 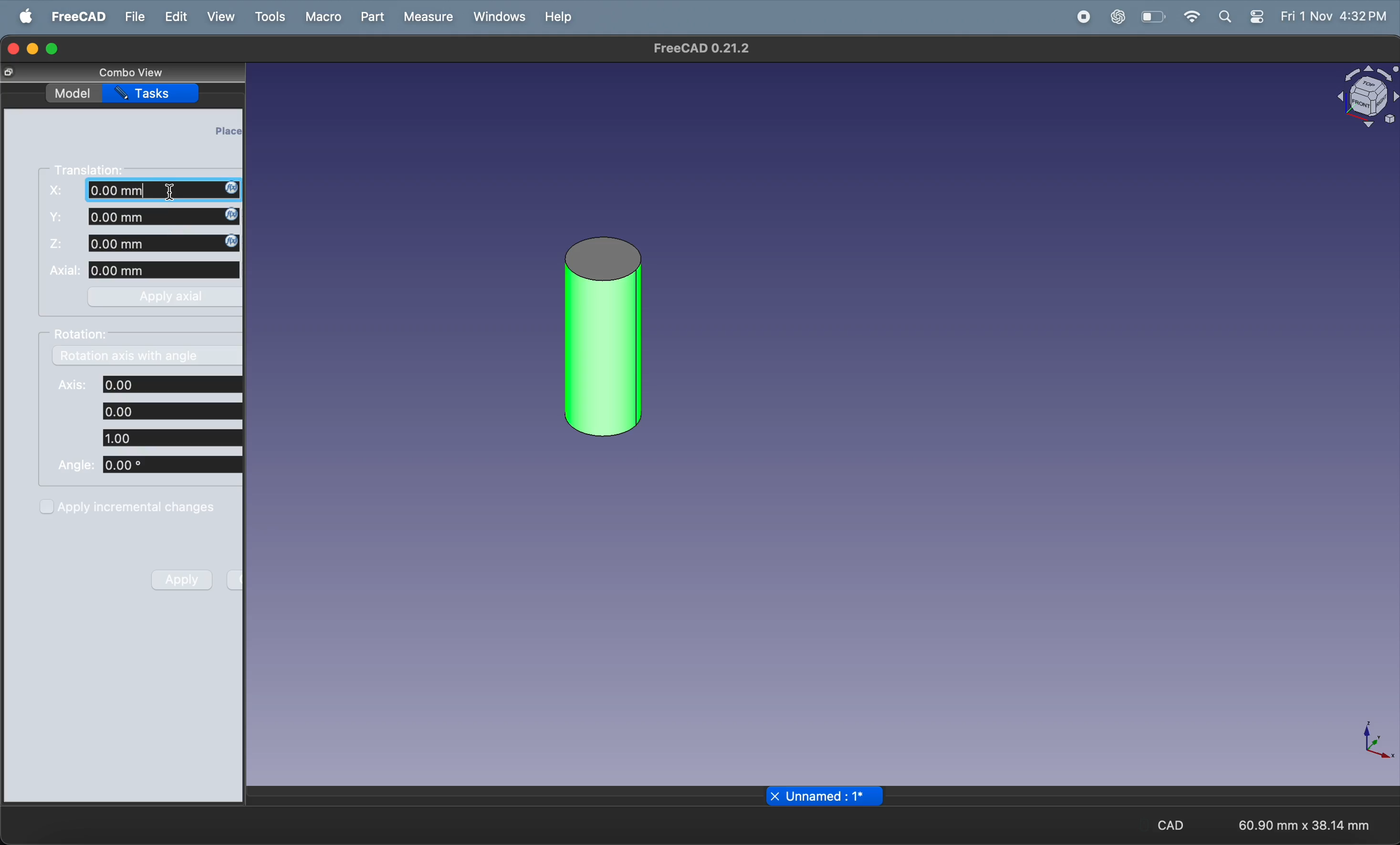 What do you see at coordinates (1241, 18) in the screenshot?
I see `apple widgets` at bounding box center [1241, 18].